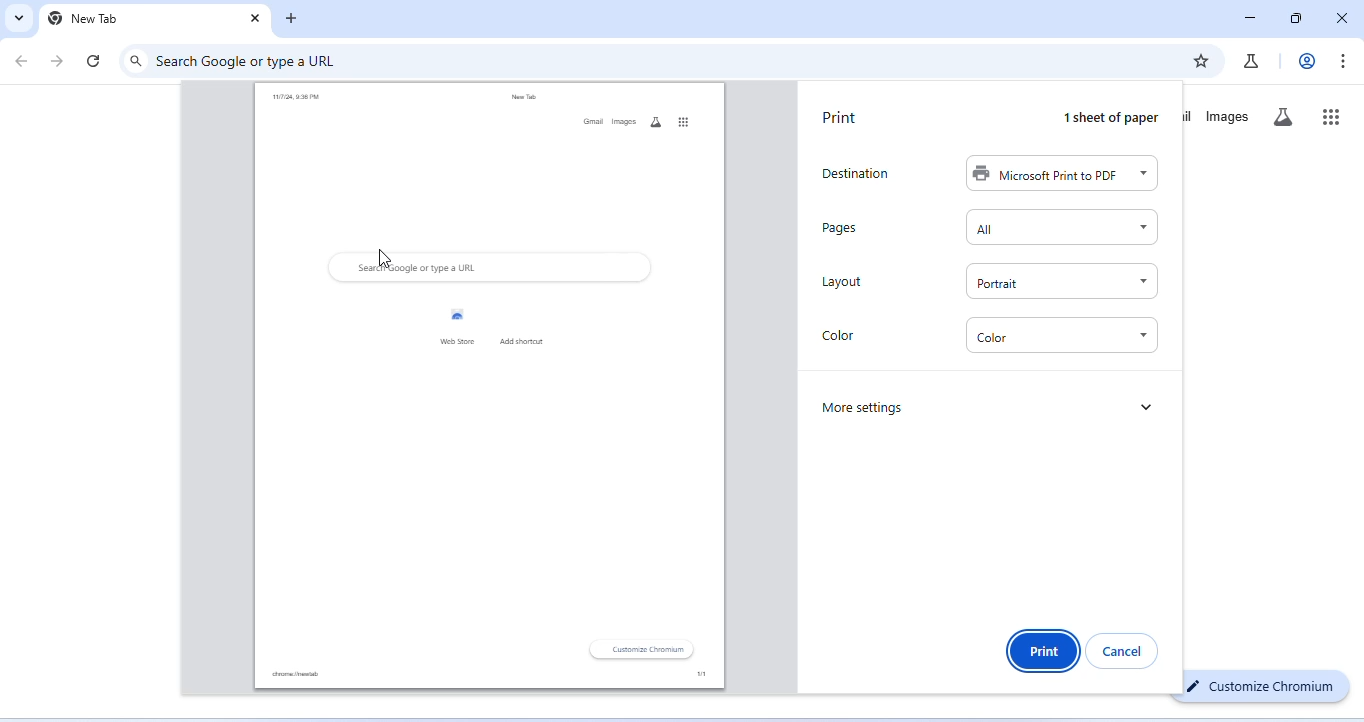 This screenshot has width=1364, height=722. What do you see at coordinates (1062, 336) in the screenshot?
I see `select color` at bounding box center [1062, 336].